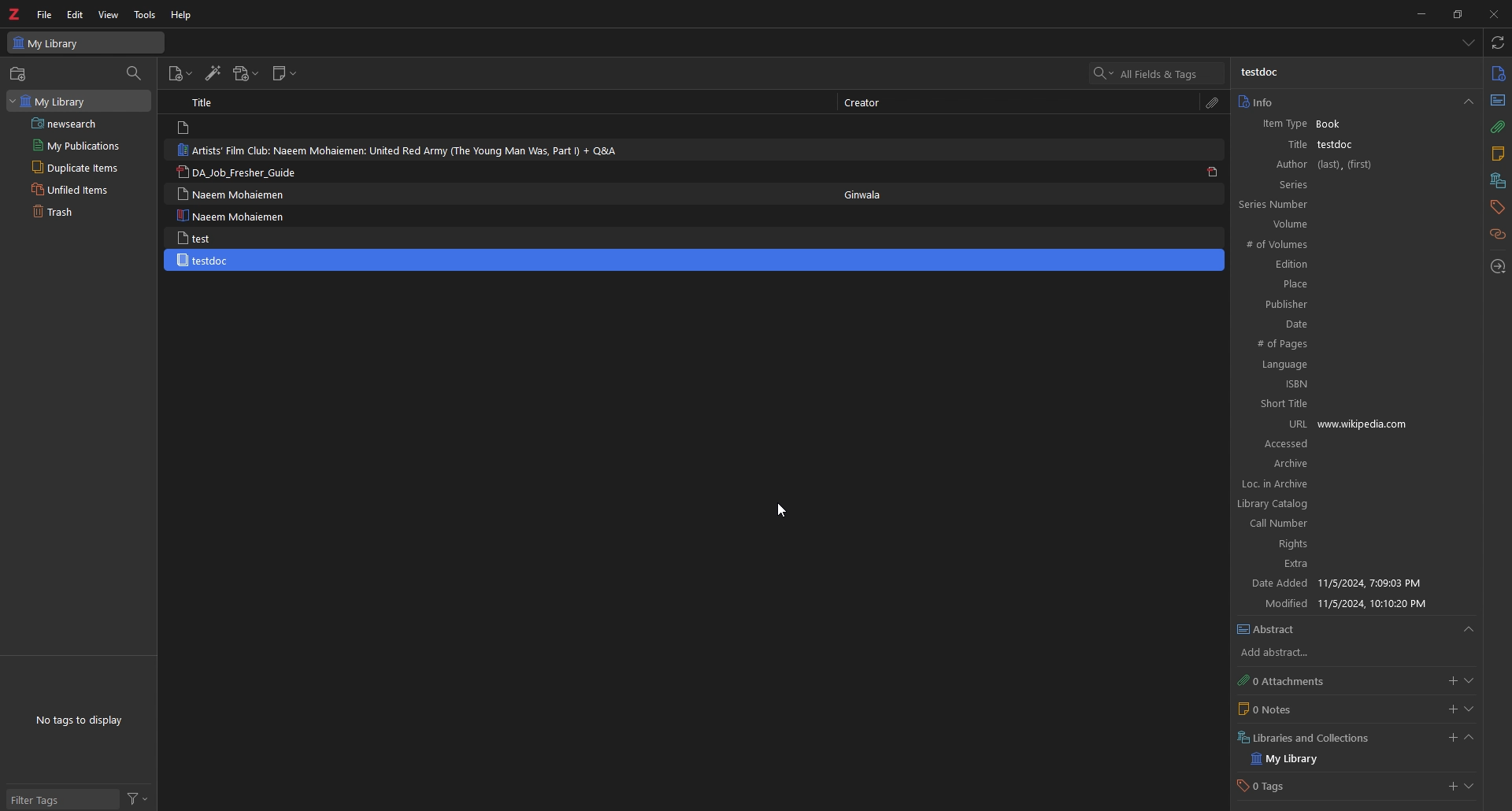  I want to click on item type, so click(1284, 124).